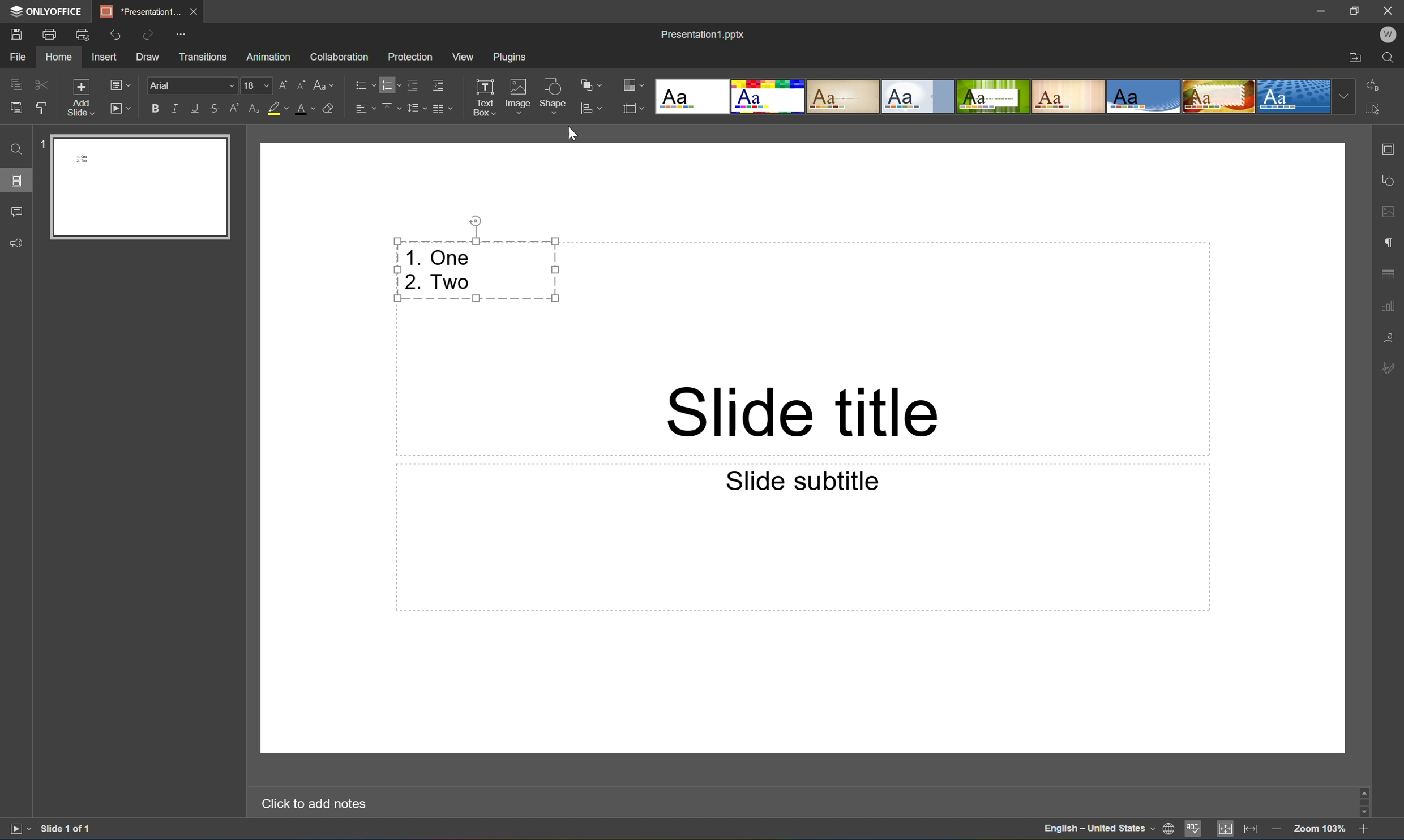 The height and width of the screenshot is (840, 1404). Describe the element at coordinates (593, 110) in the screenshot. I see `Align shape` at that location.